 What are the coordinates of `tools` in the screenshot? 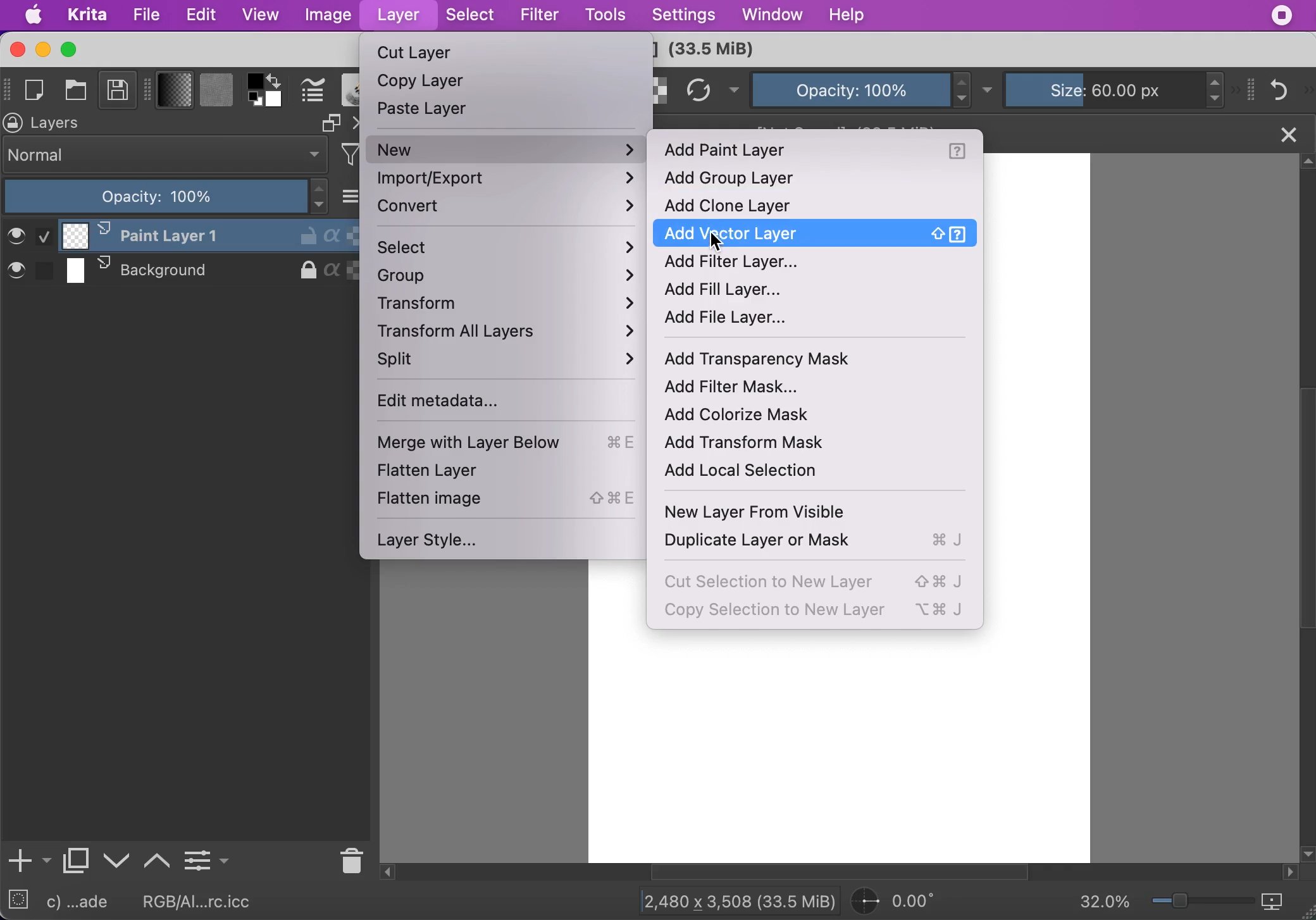 It's located at (605, 16).